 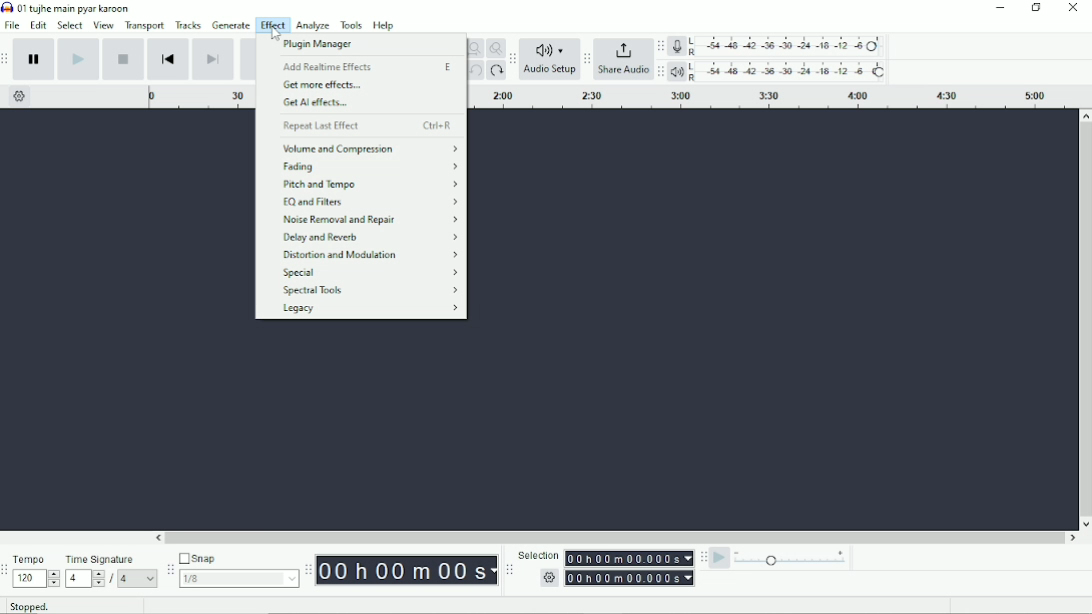 What do you see at coordinates (661, 71) in the screenshot?
I see `Audacity playback meter toolbar` at bounding box center [661, 71].